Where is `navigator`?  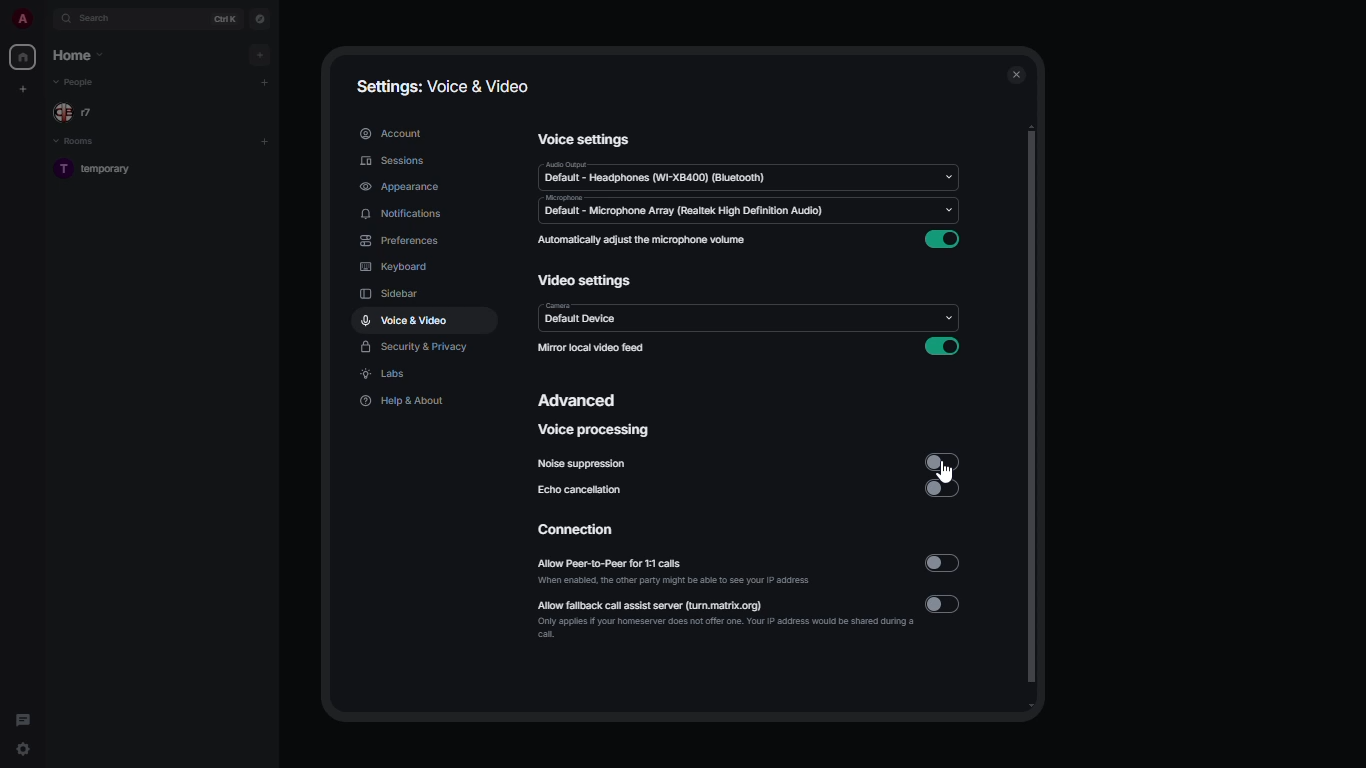 navigator is located at coordinates (258, 18).